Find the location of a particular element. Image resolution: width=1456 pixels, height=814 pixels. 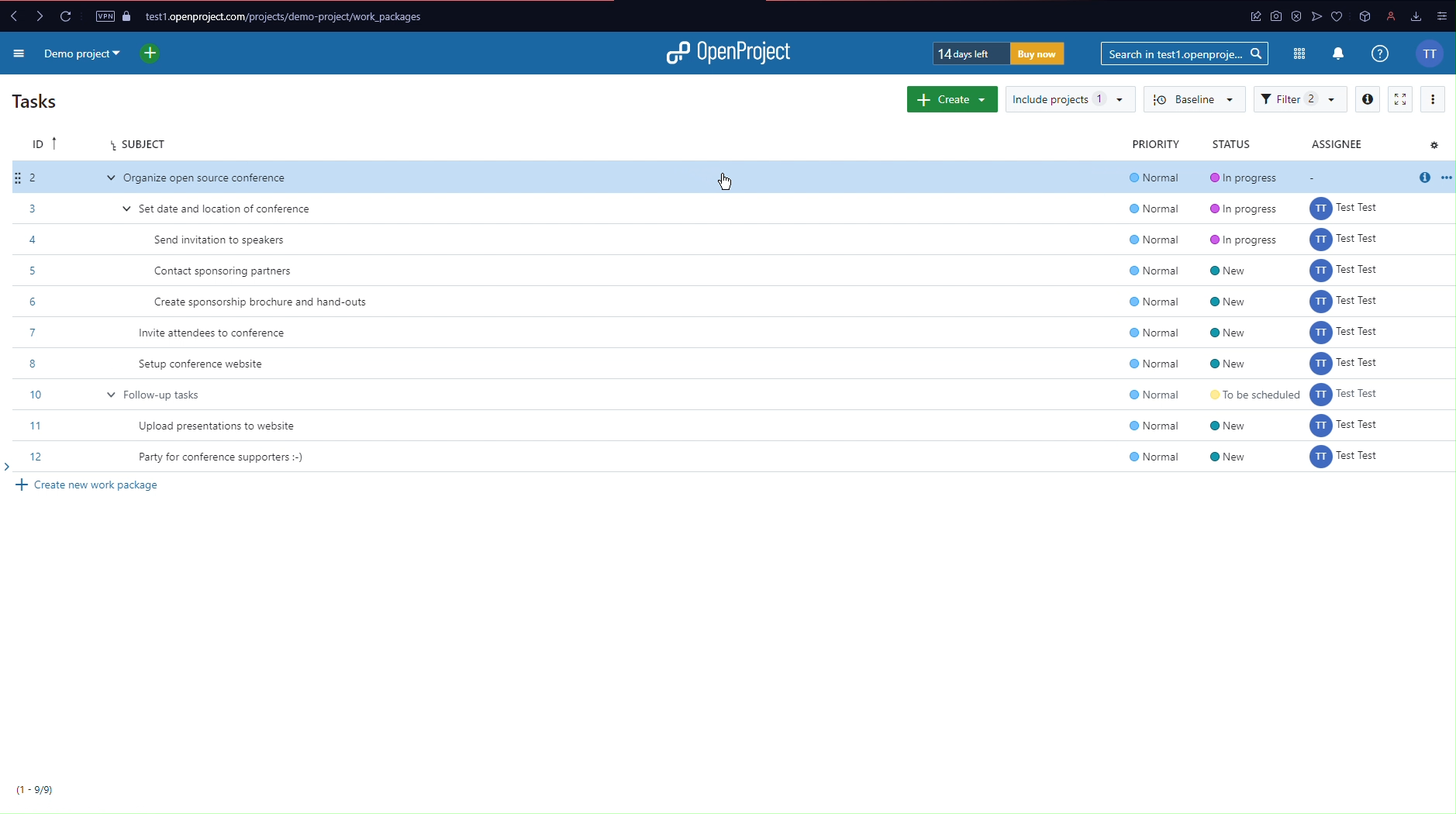

status info: in progress is located at coordinates (1252, 213).